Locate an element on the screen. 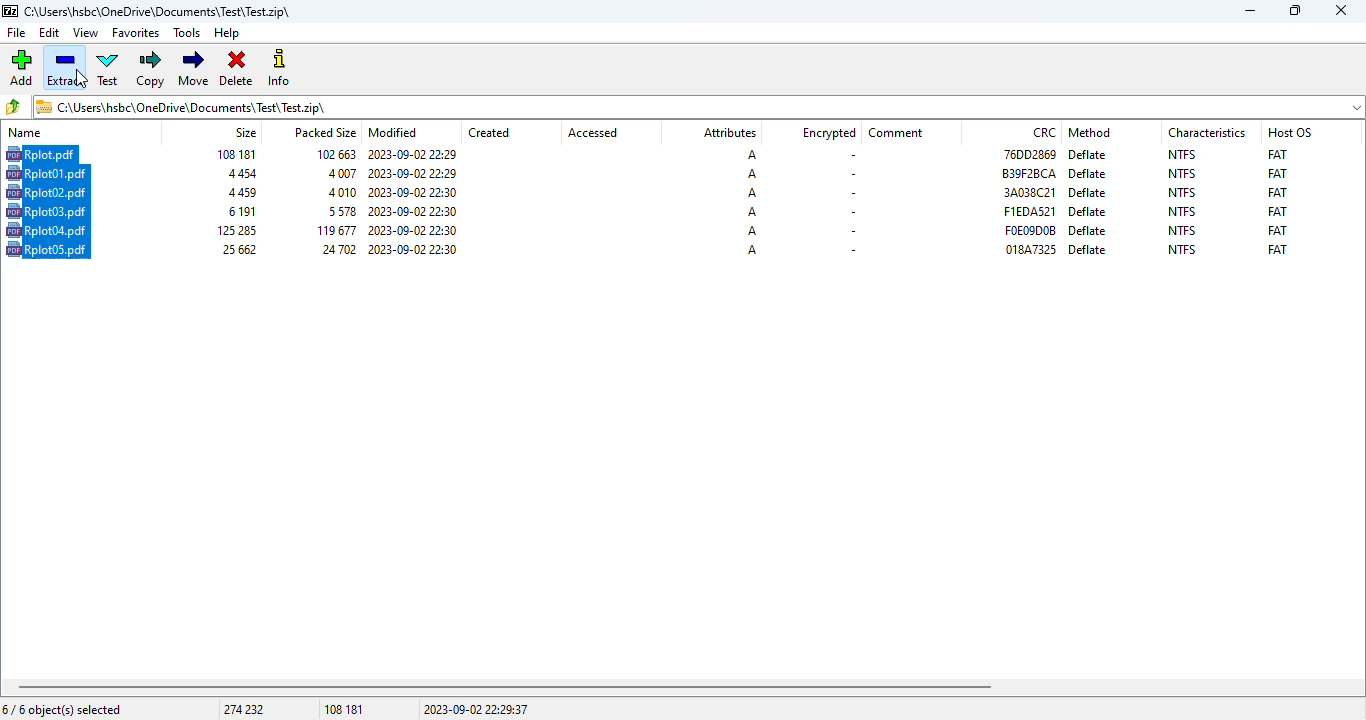 The height and width of the screenshot is (720, 1366). logo is located at coordinates (9, 11).